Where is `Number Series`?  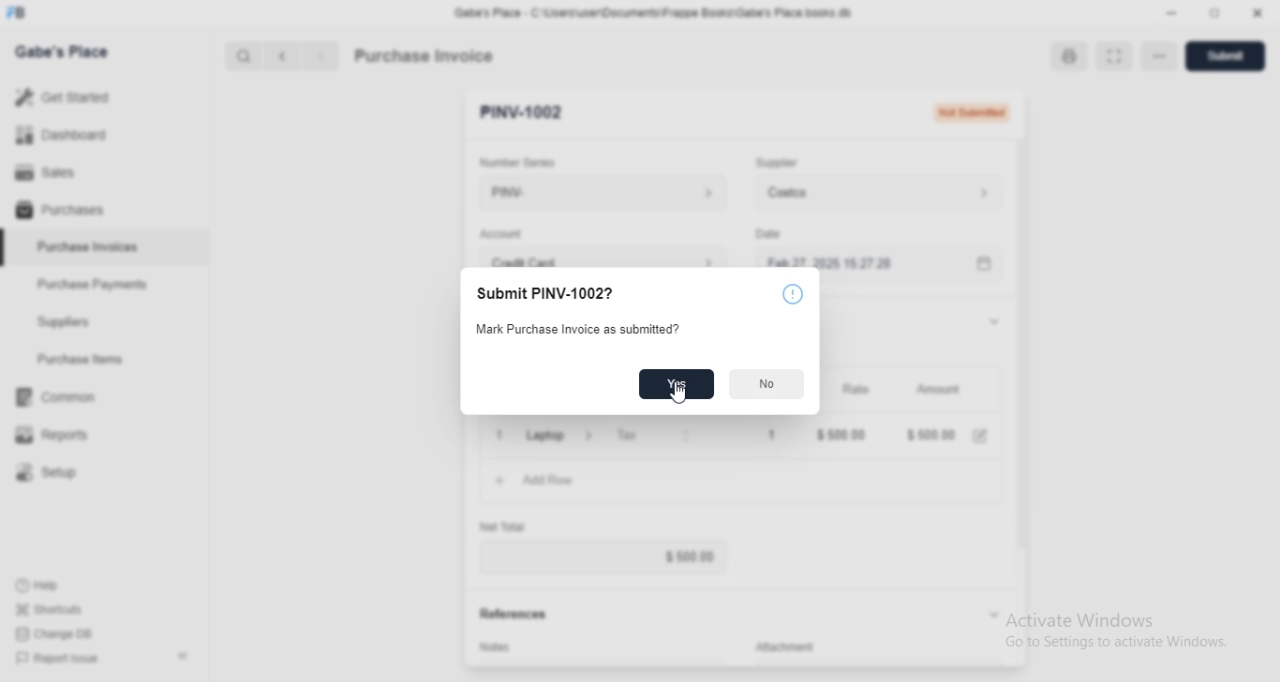
Number Series is located at coordinates (518, 163).